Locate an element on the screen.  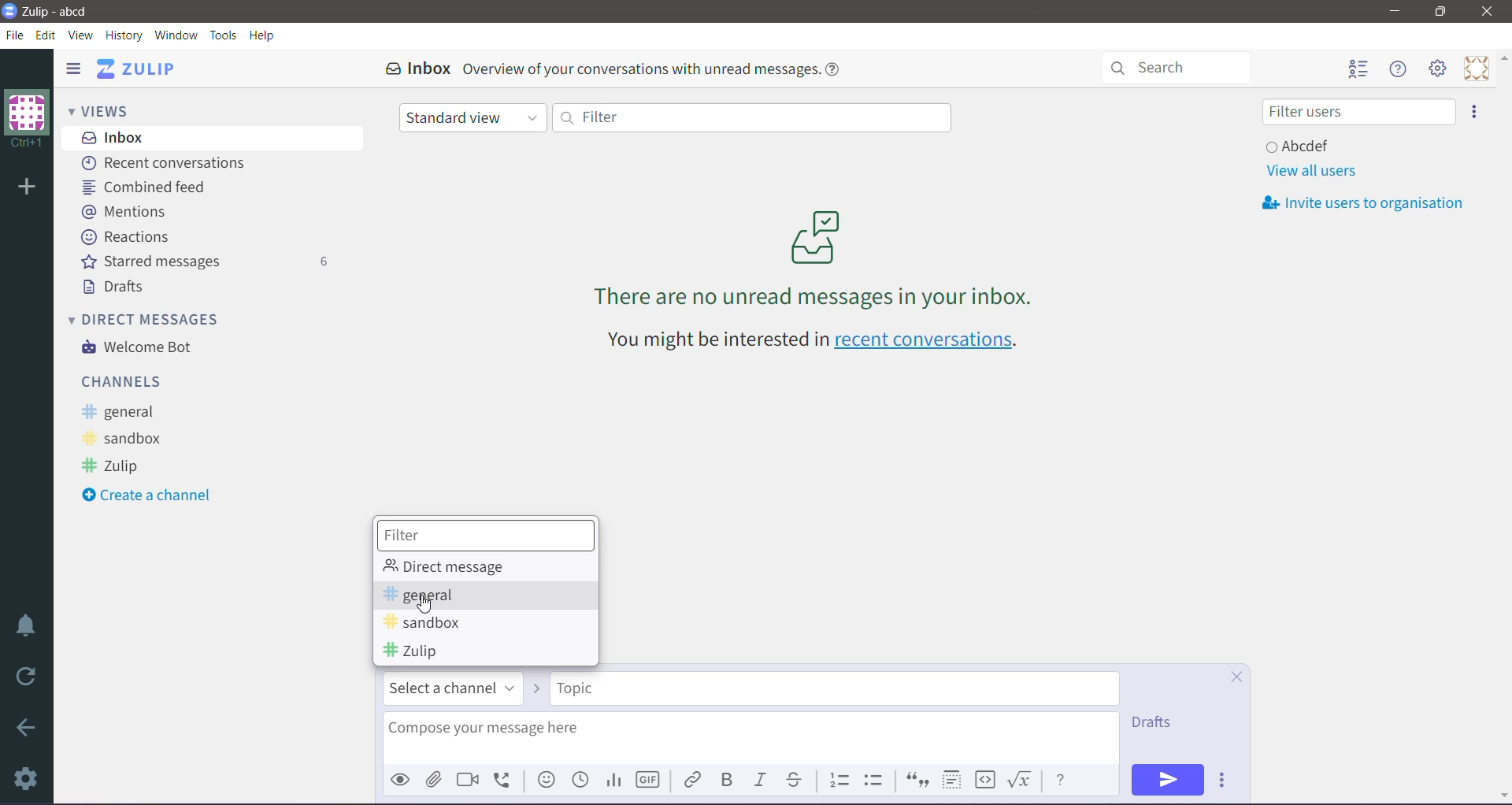
Add organization is located at coordinates (25, 188).